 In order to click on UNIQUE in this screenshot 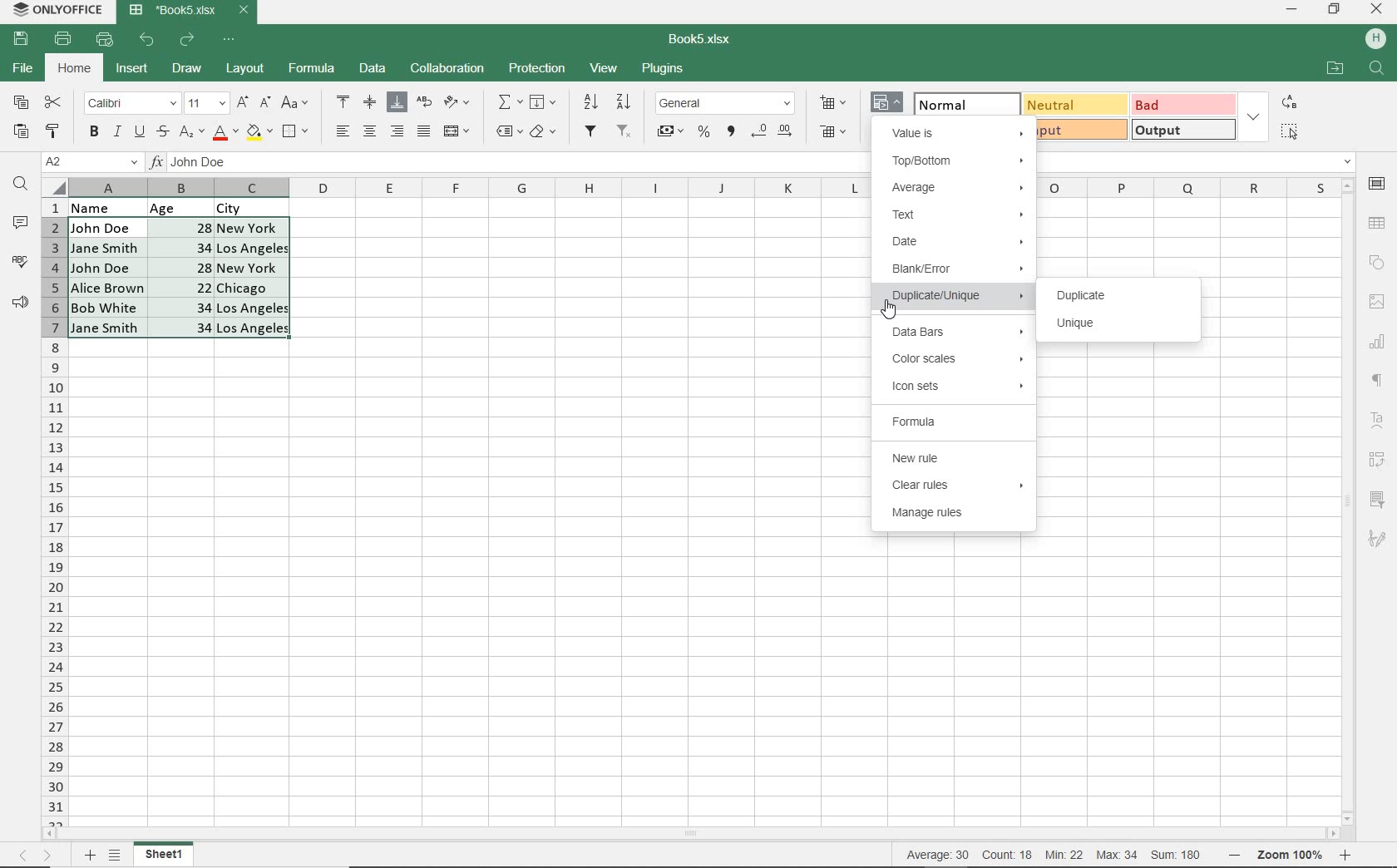, I will do `click(1078, 326)`.